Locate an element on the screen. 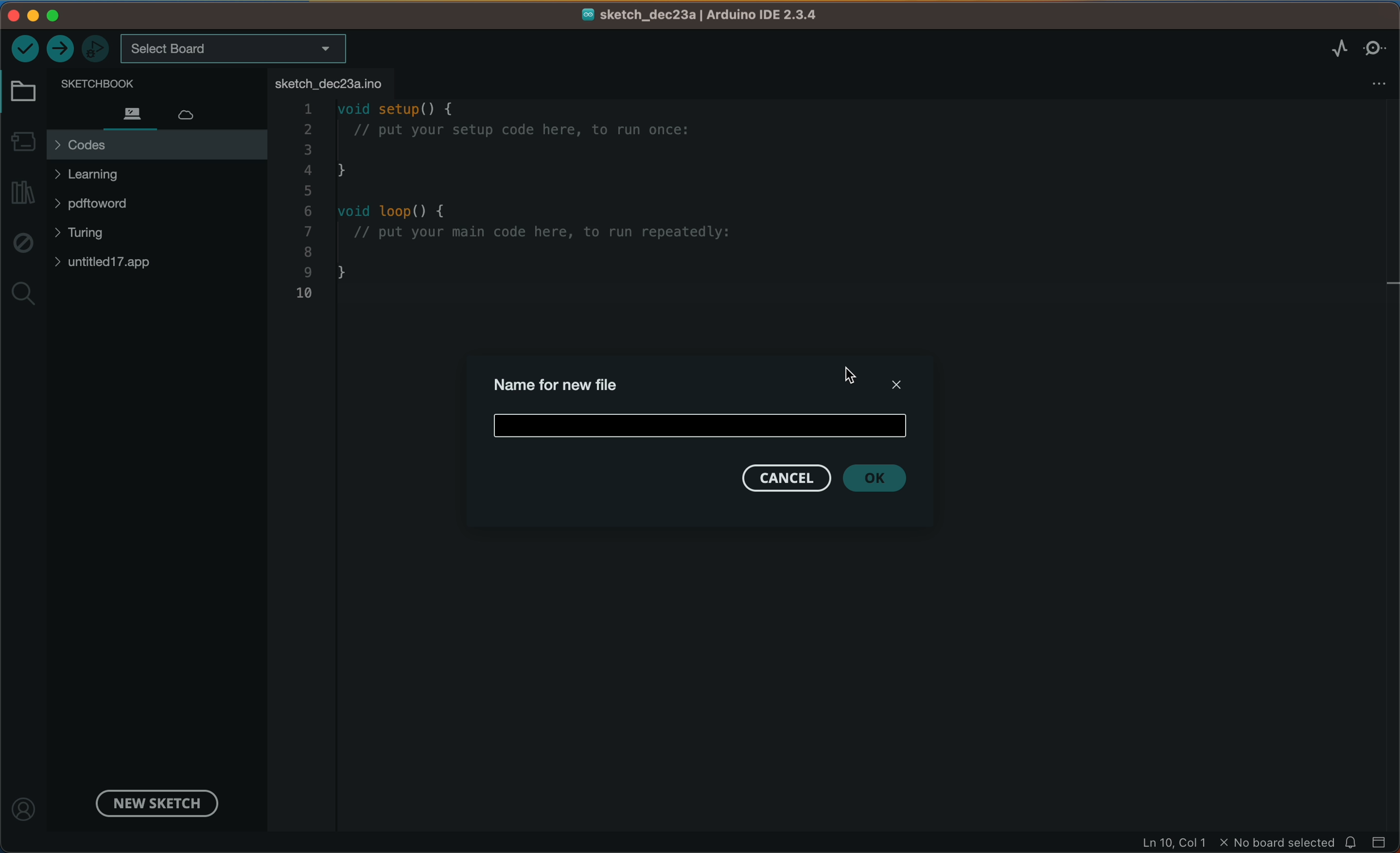  file information is located at coordinates (1236, 843).